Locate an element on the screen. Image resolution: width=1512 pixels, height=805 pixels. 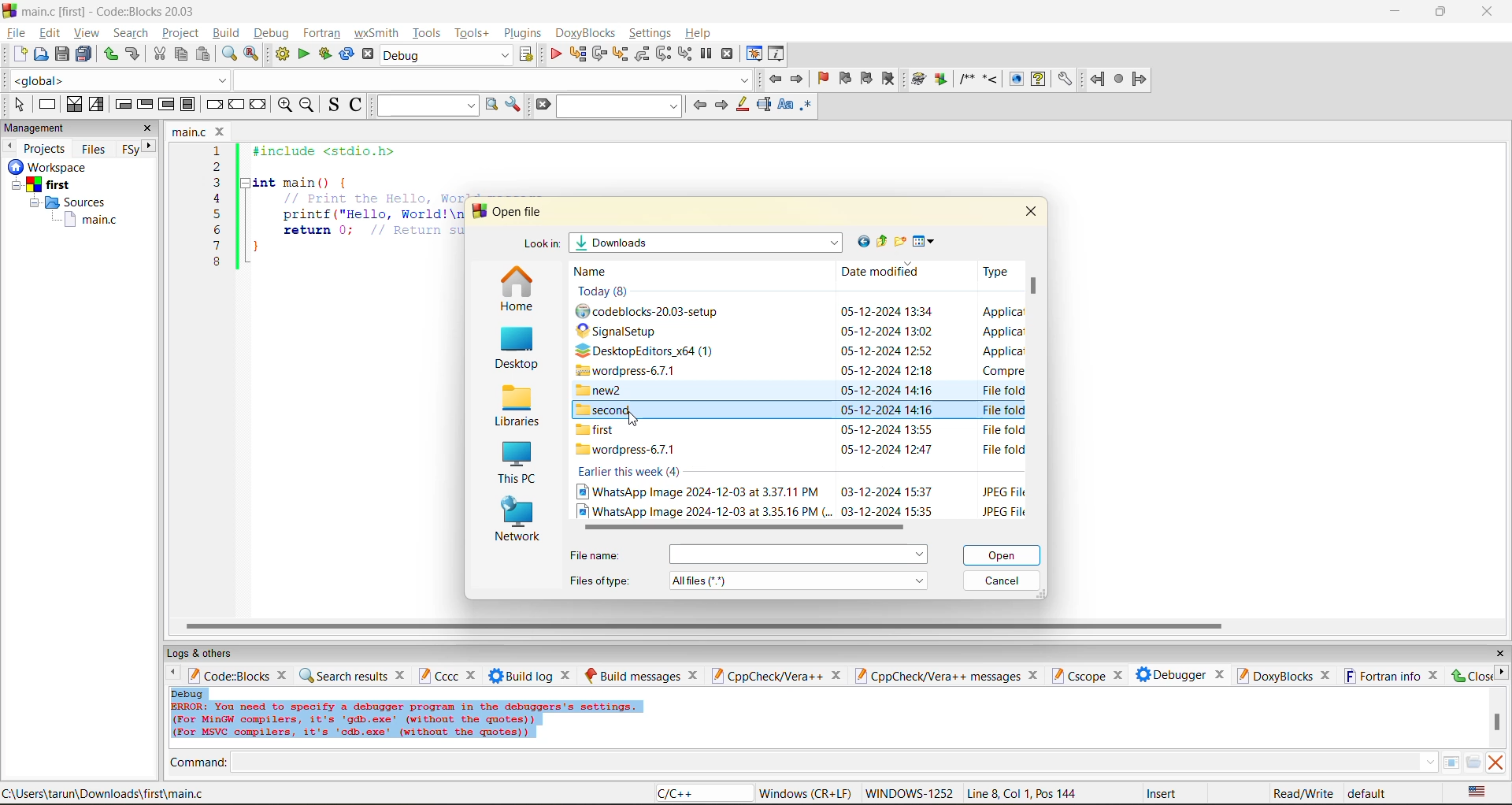
search is located at coordinates (131, 32).